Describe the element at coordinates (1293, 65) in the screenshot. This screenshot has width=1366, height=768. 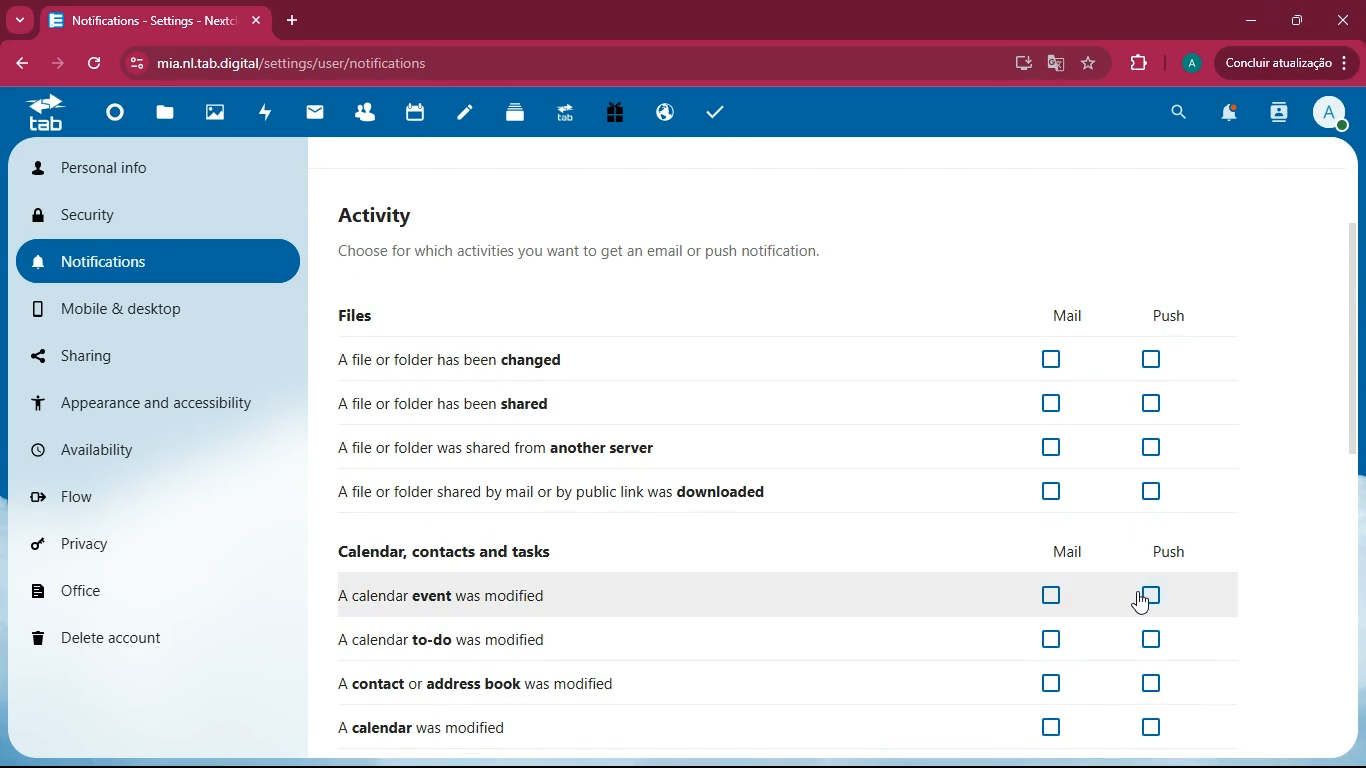
I see `Condluir atualizagio` at that location.